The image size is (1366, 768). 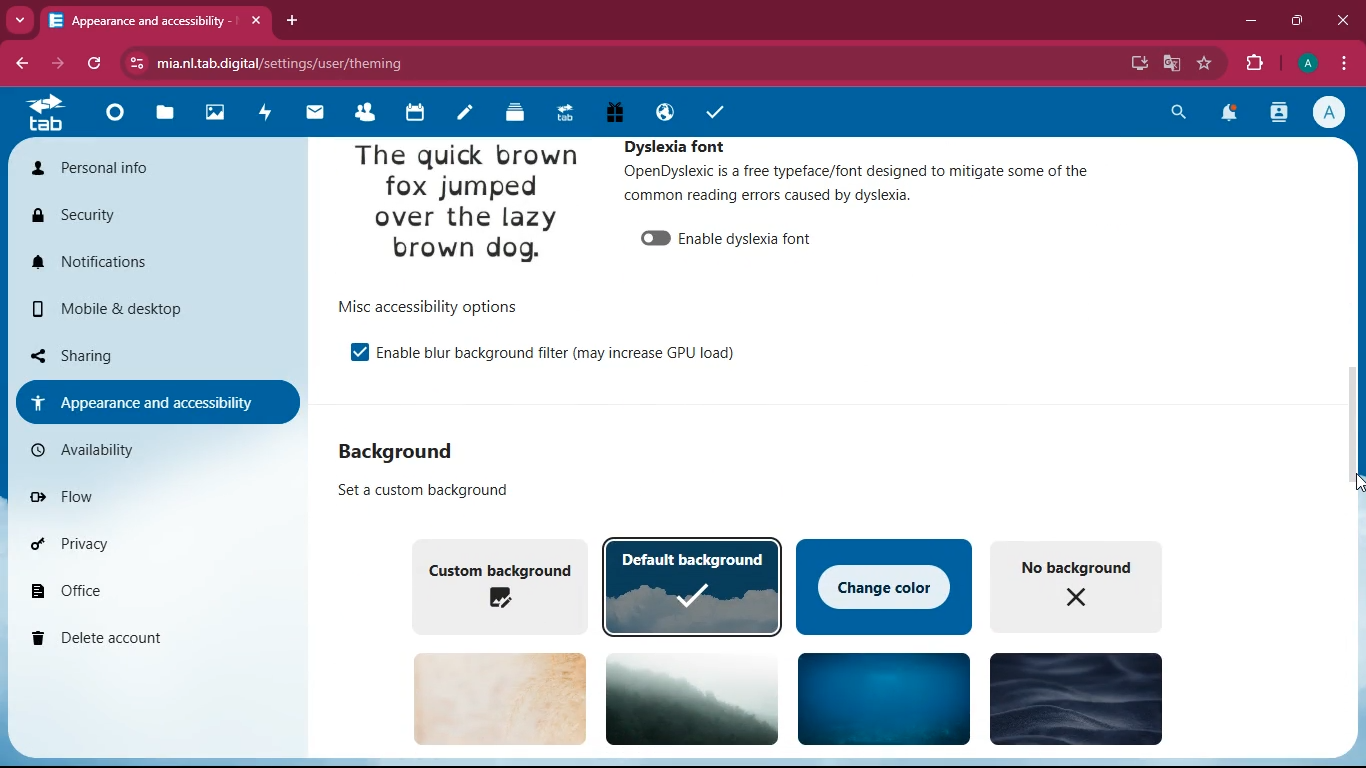 What do you see at coordinates (1281, 112) in the screenshot?
I see `activity` at bounding box center [1281, 112].